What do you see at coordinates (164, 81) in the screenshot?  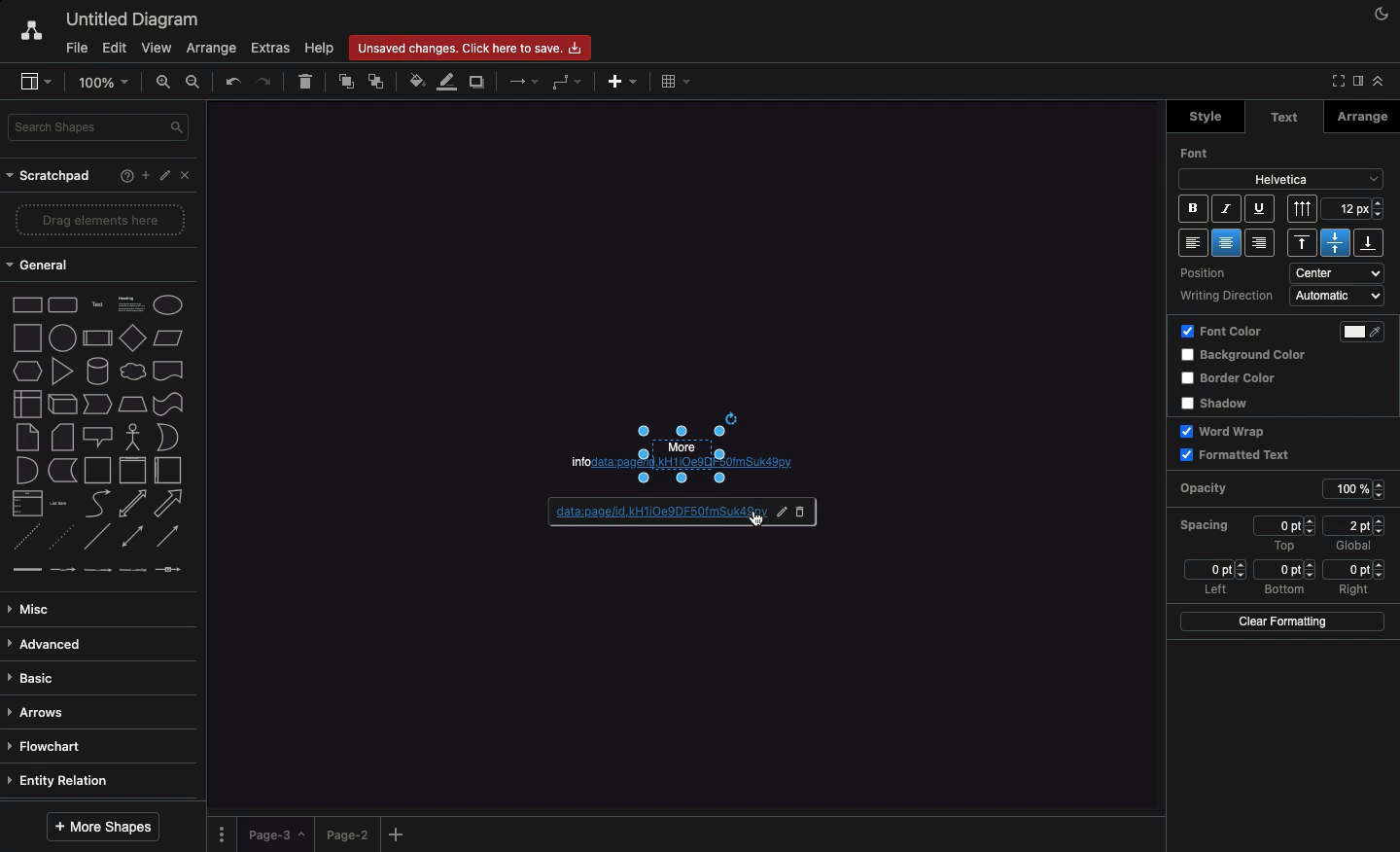 I see `Zoom in` at bounding box center [164, 81].